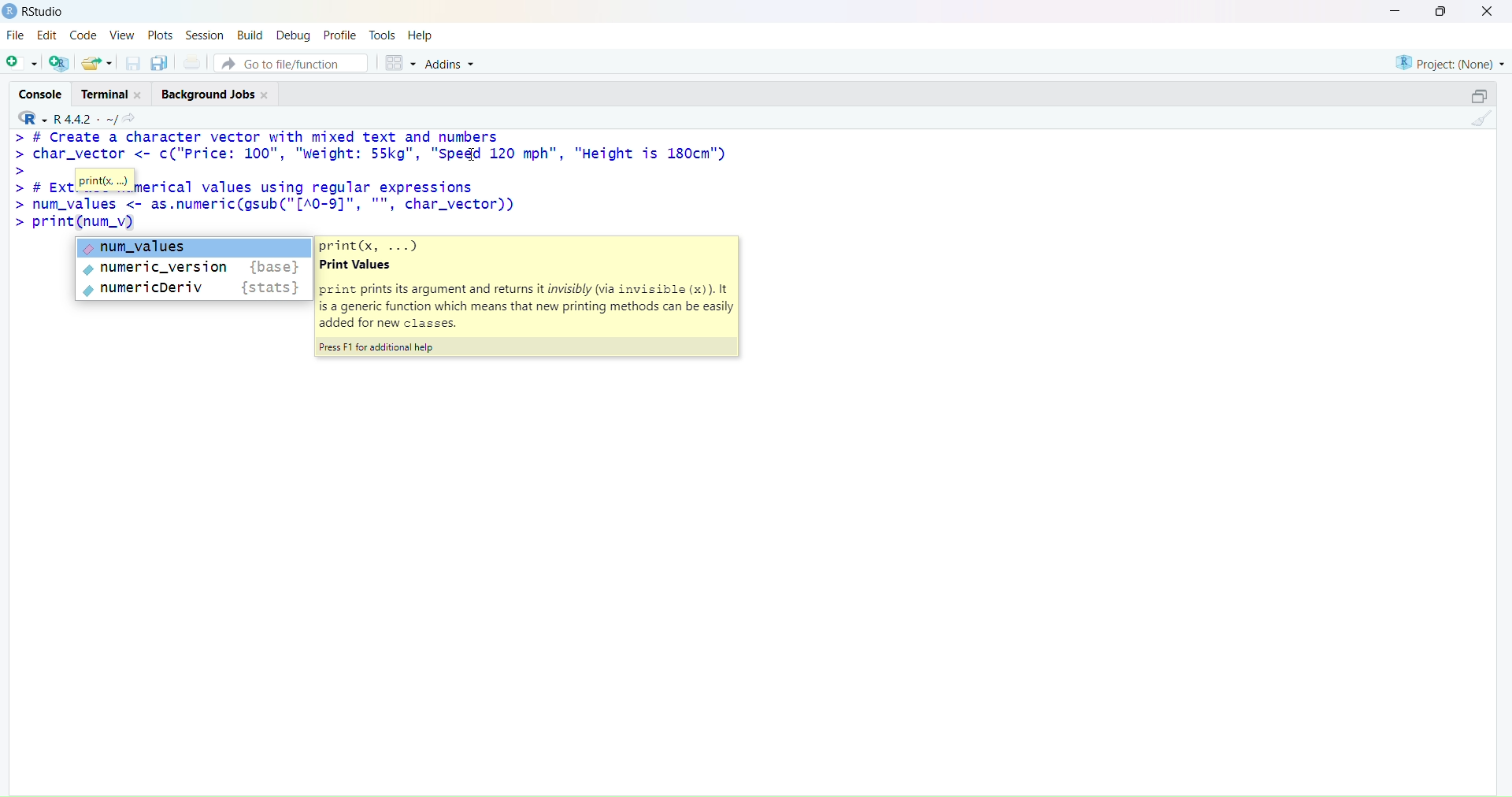  Describe the element at coordinates (159, 63) in the screenshot. I see `copy` at that location.